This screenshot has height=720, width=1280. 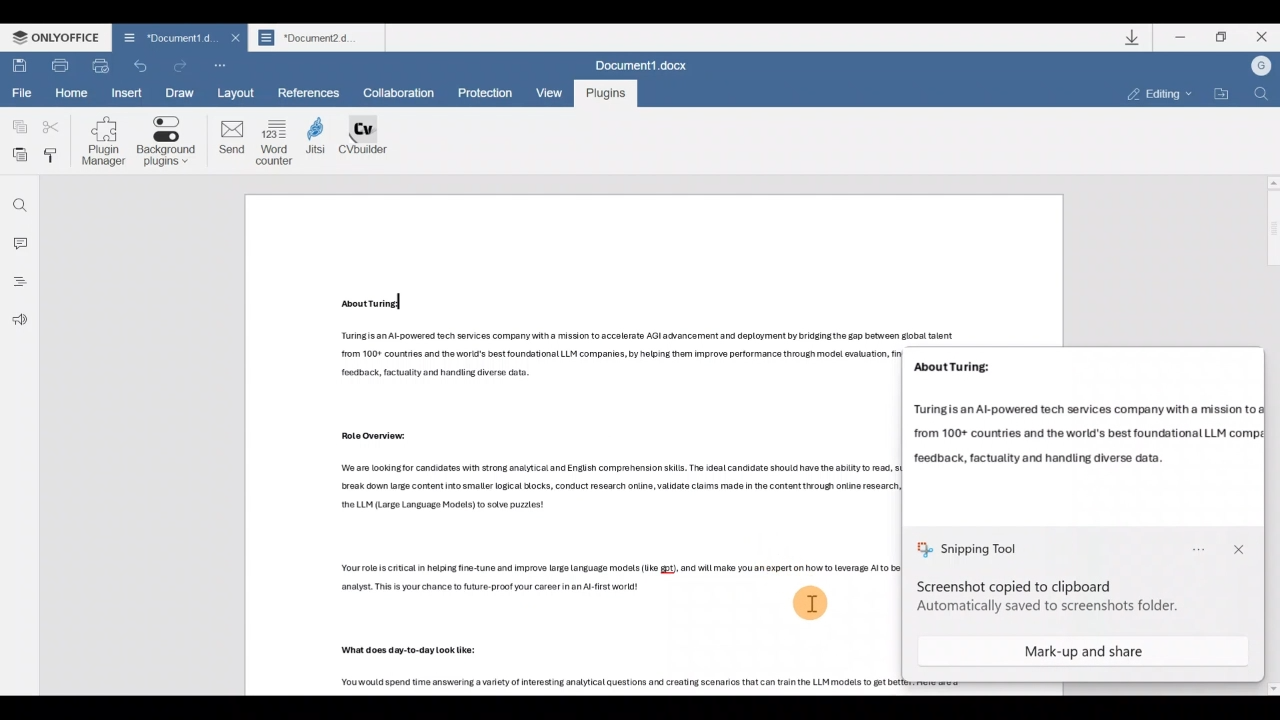 I want to click on , so click(x=614, y=490).